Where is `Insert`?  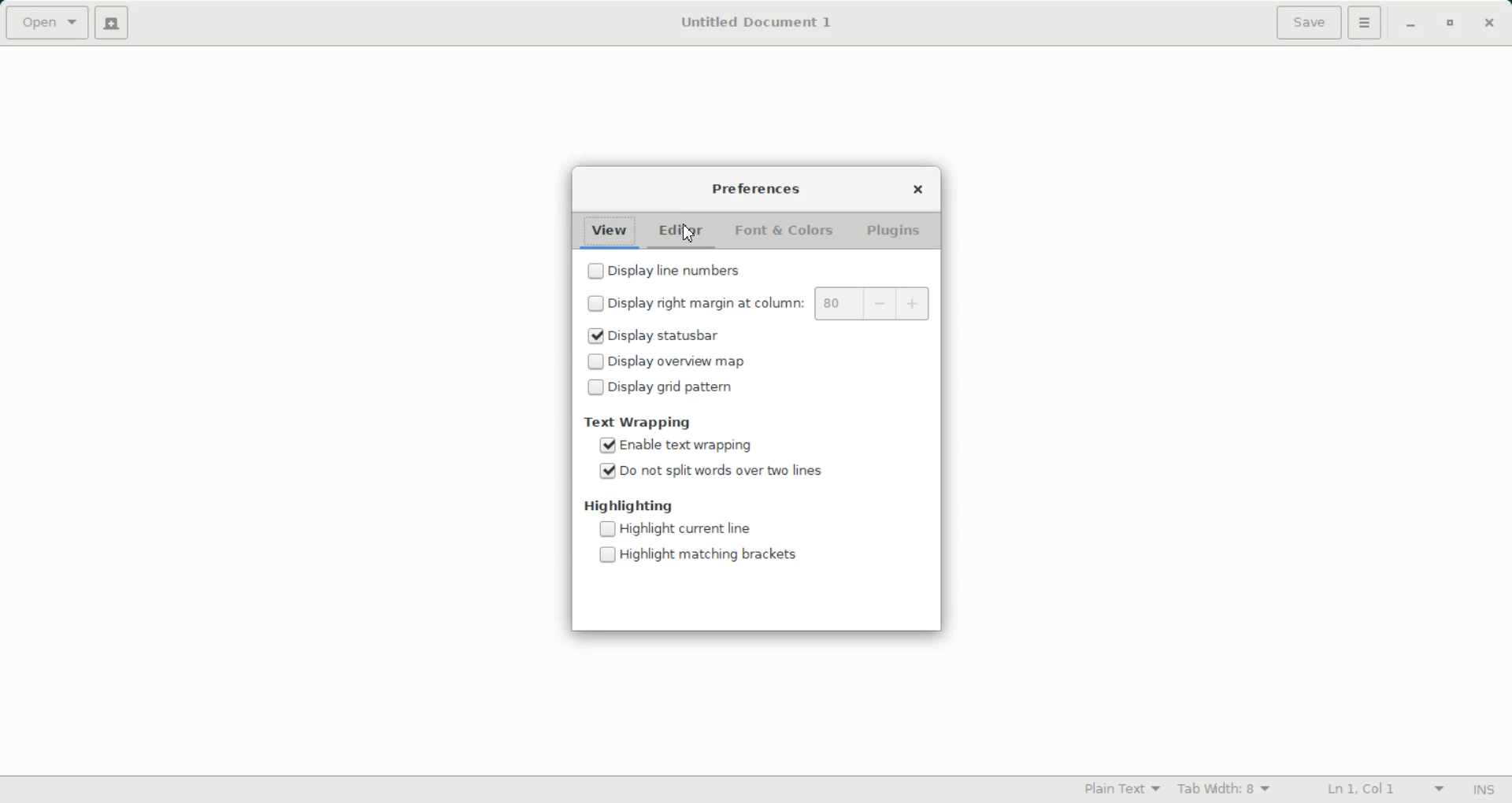 Insert is located at coordinates (1483, 790).